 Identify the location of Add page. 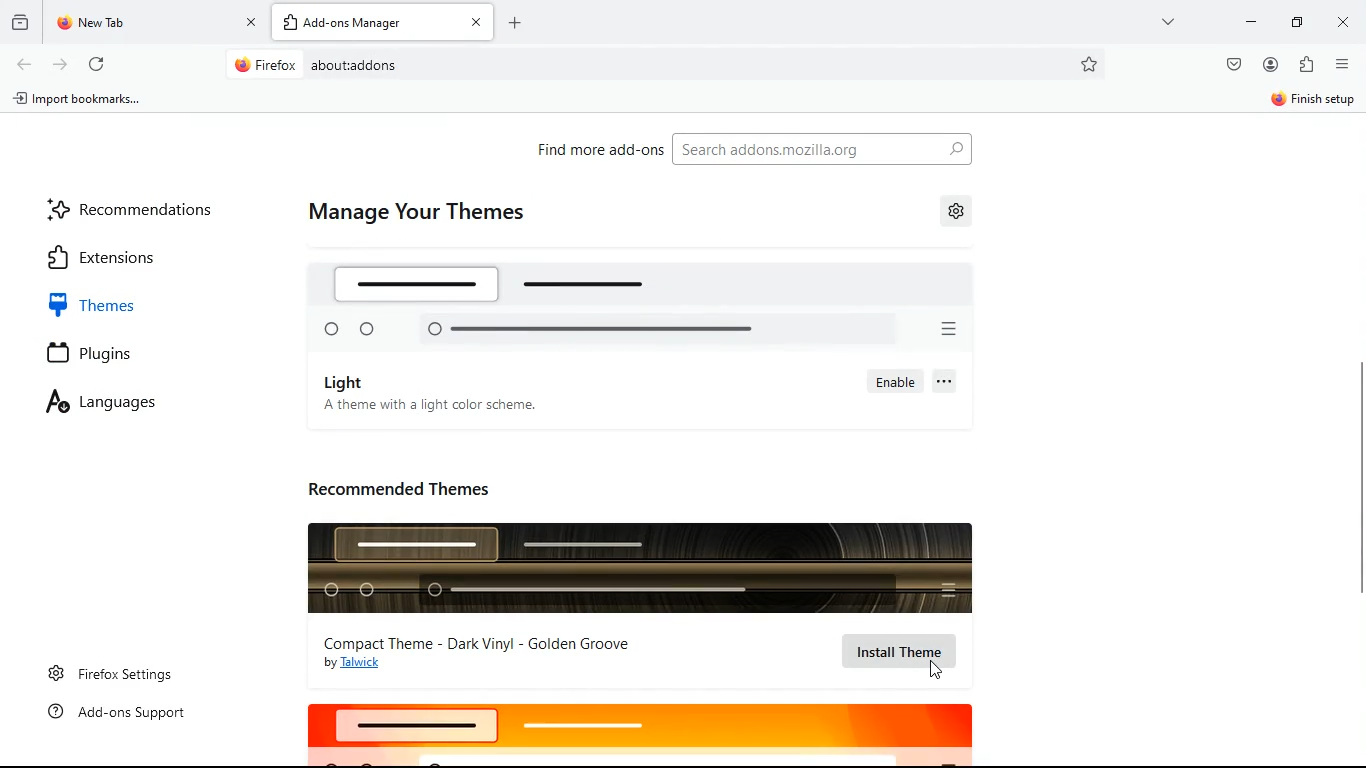
(514, 23).